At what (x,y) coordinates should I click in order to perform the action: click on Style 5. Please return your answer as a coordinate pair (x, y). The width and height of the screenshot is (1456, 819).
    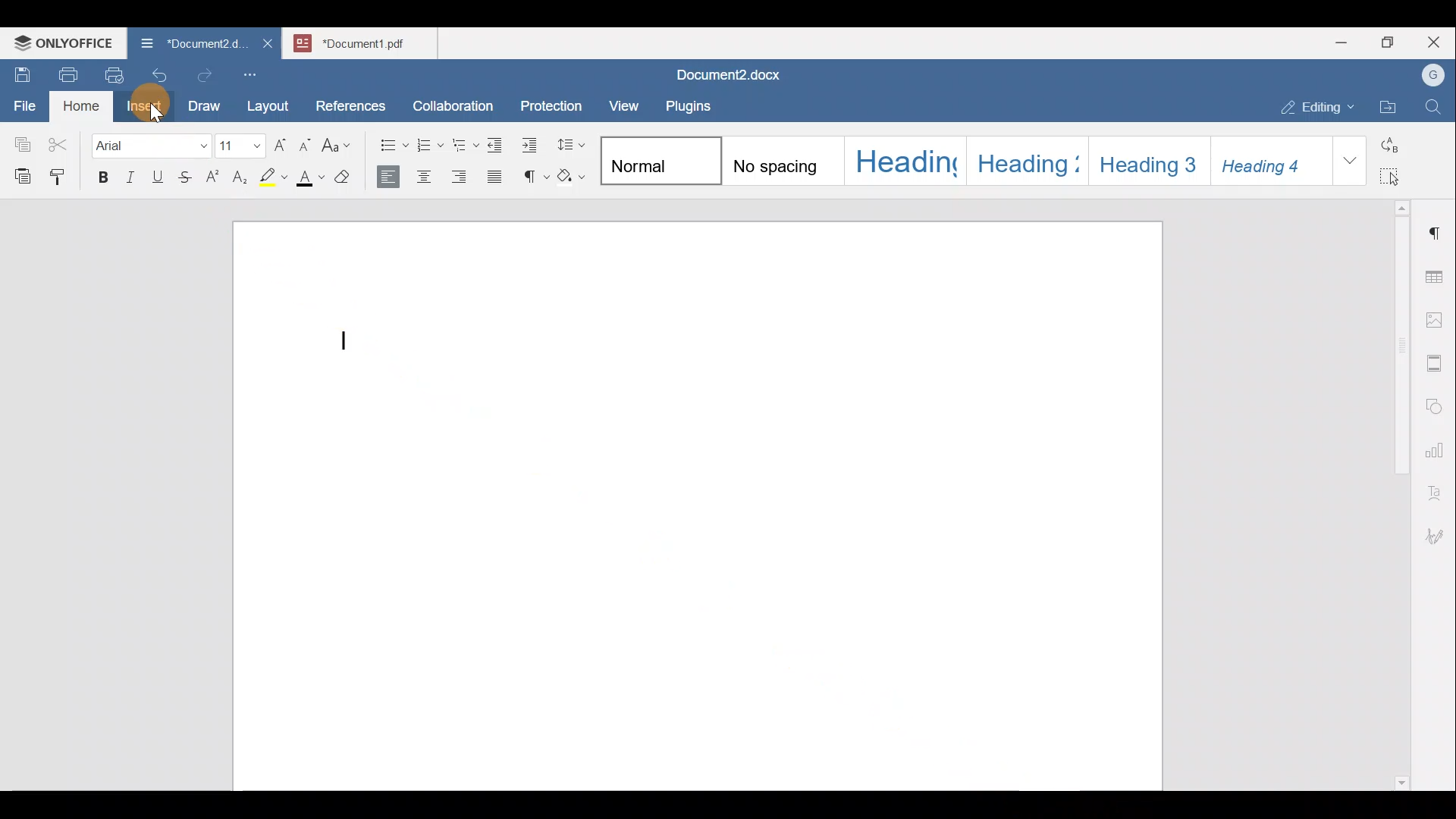
    Looking at the image, I should click on (1150, 160).